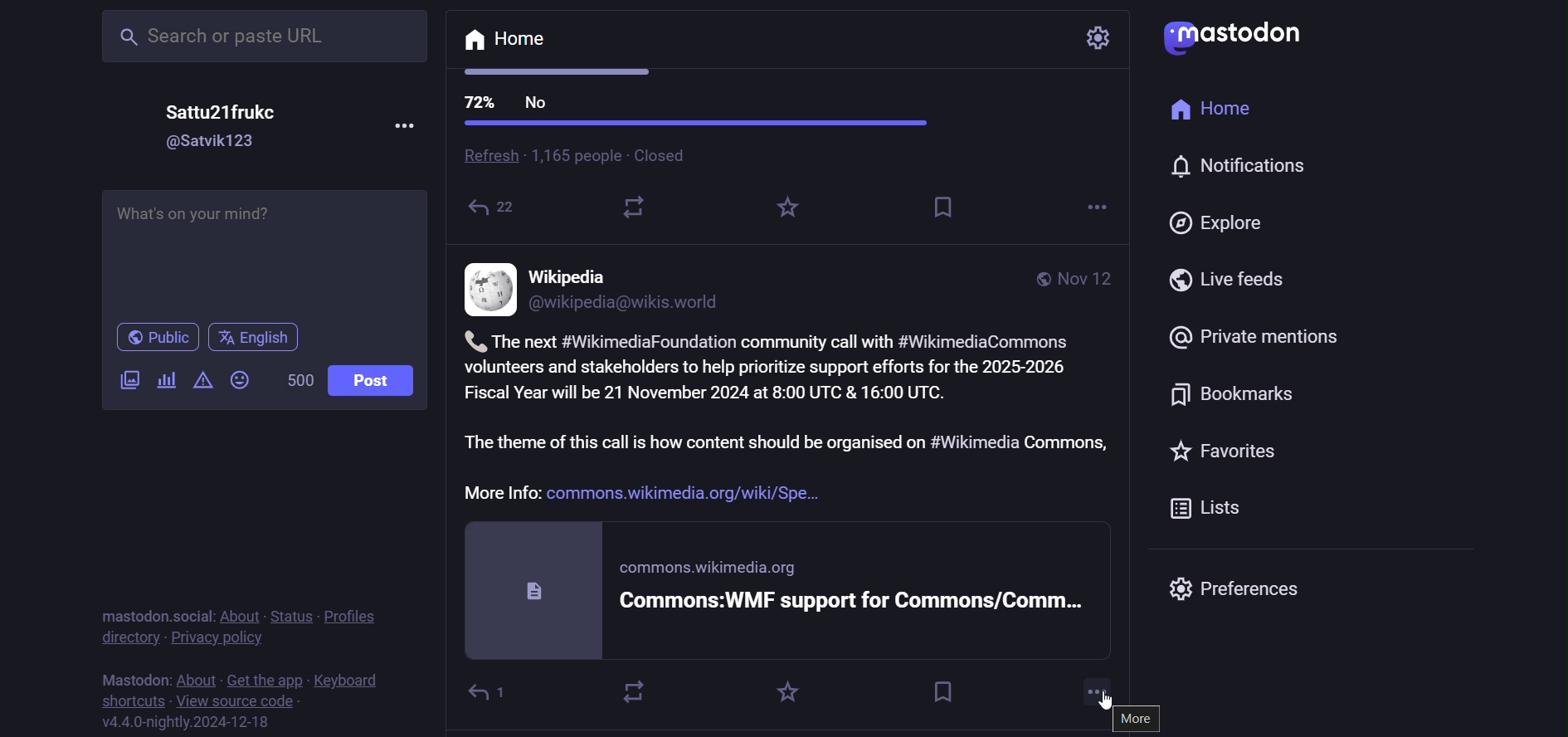 This screenshot has height=737, width=1568. Describe the element at coordinates (479, 101) in the screenshot. I see `72%` at that location.